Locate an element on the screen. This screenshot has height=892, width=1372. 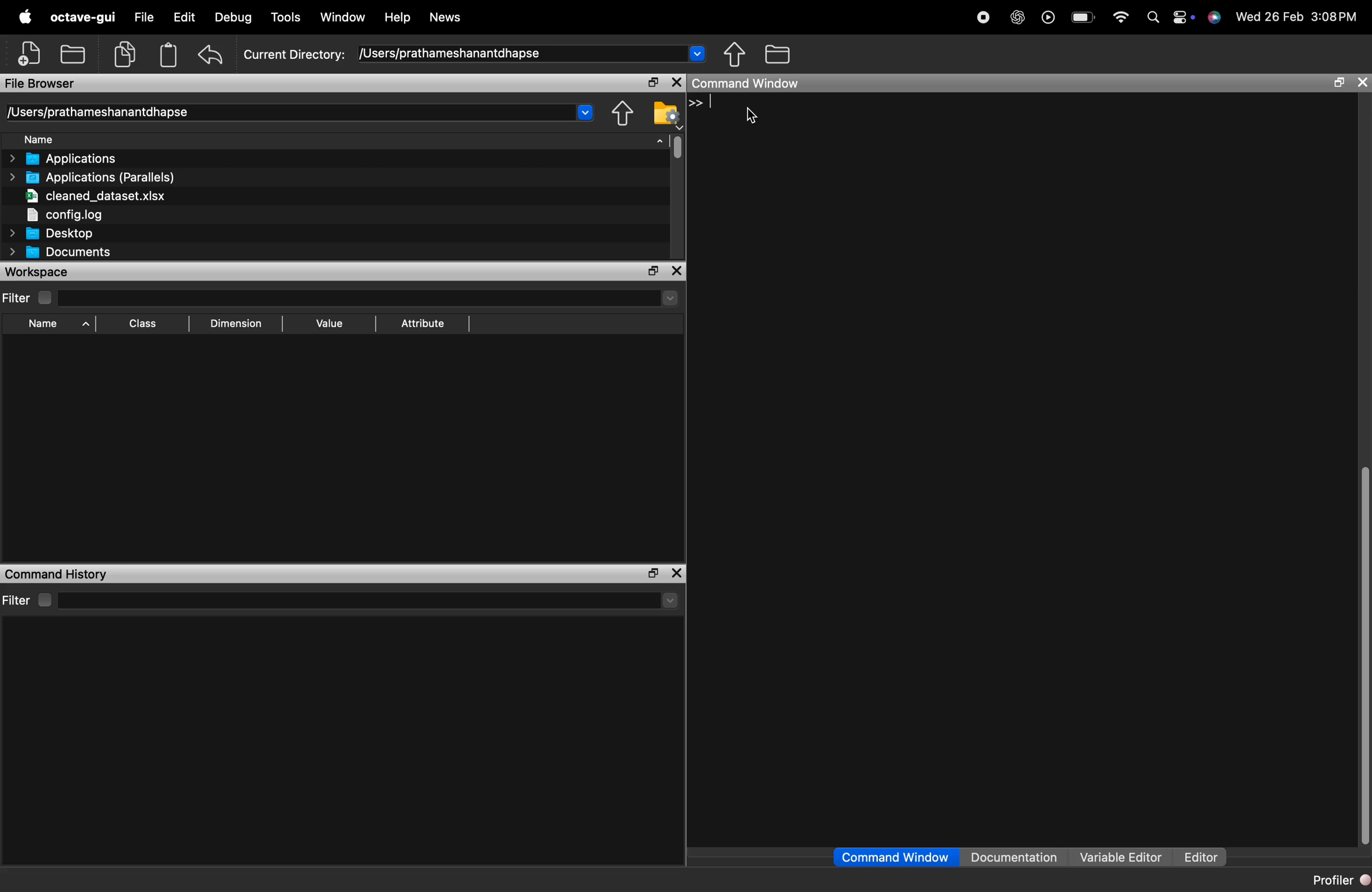
Name  is located at coordinates (55, 325).